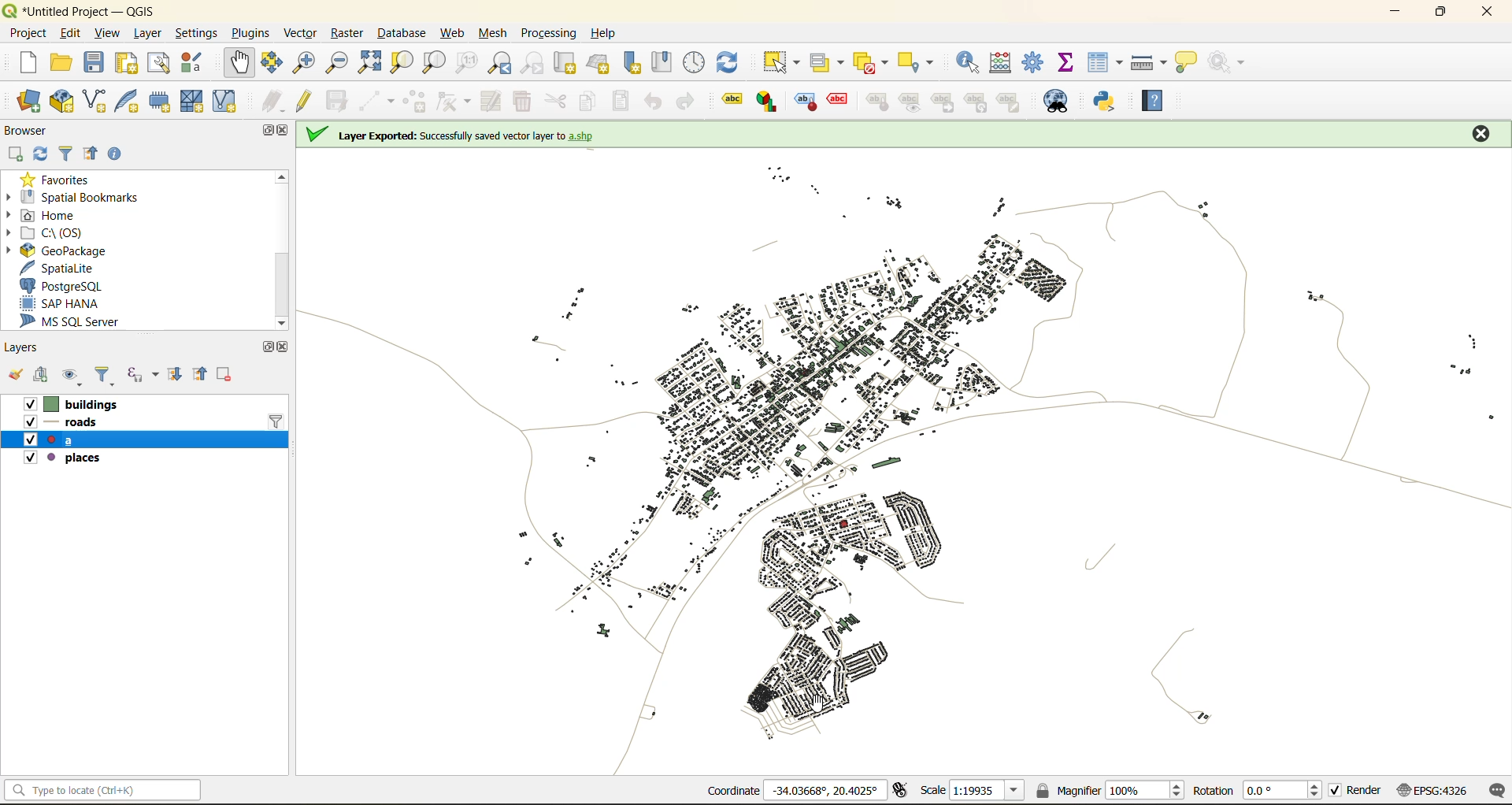 This screenshot has width=1512, height=805. Describe the element at coordinates (141, 376) in the screenshot. I see `filter by expression` at that location.